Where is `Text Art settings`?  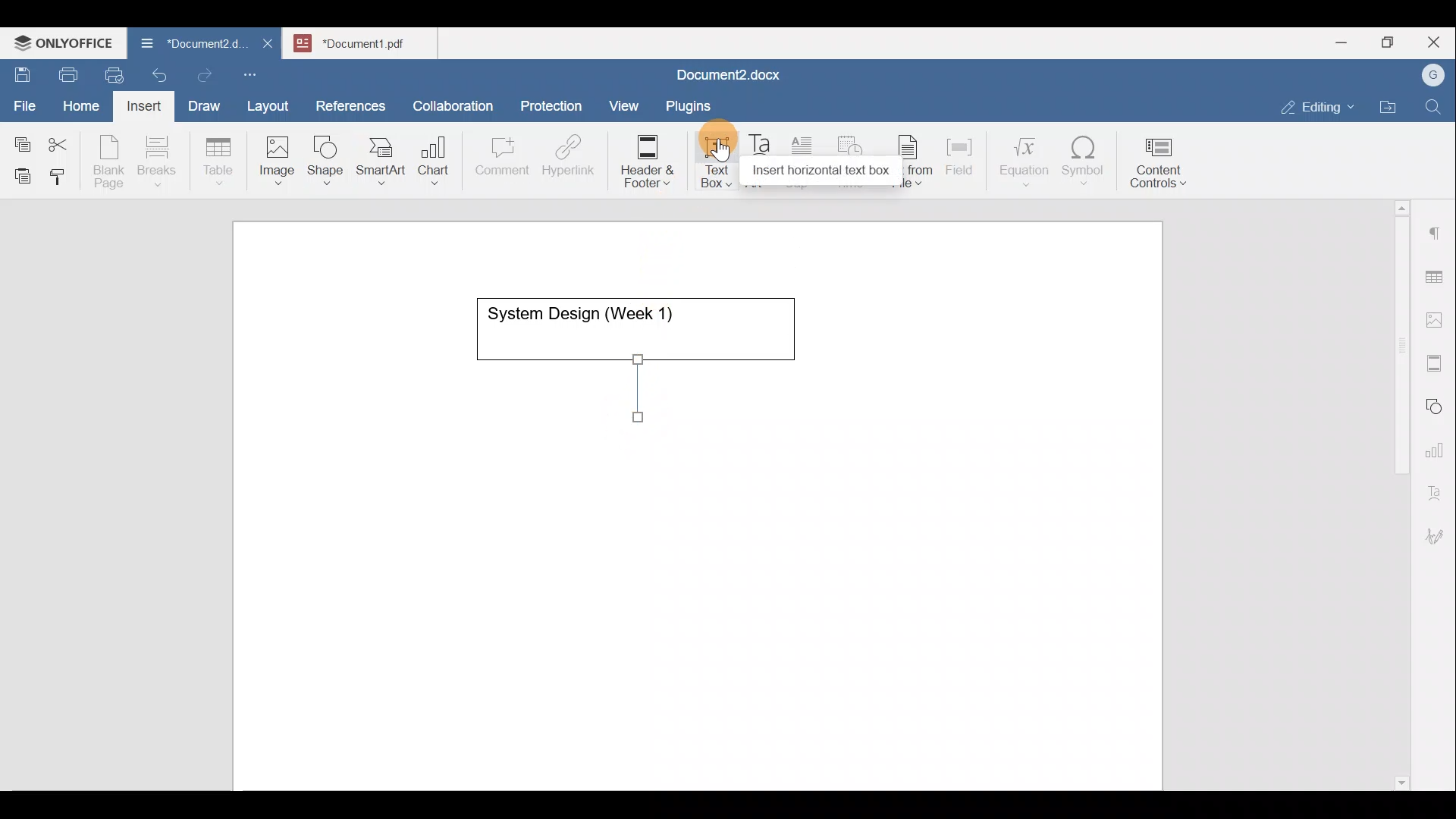 Text Art settings is located at coordinates (1436, 487).